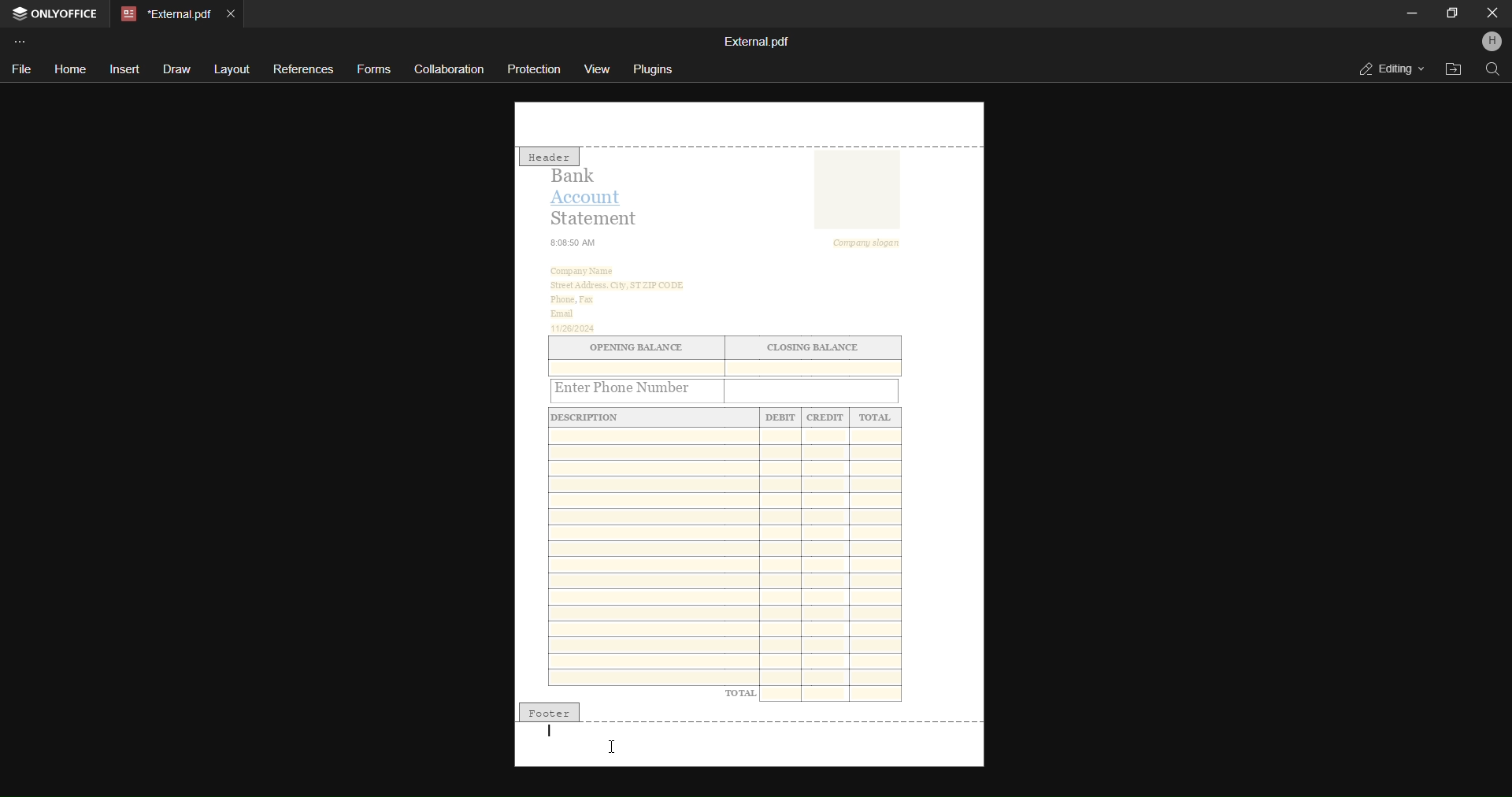 The image size is (1512, 797). Describe the element at coordinates (176, 71) in the screenshot. I see `draw` at that location.